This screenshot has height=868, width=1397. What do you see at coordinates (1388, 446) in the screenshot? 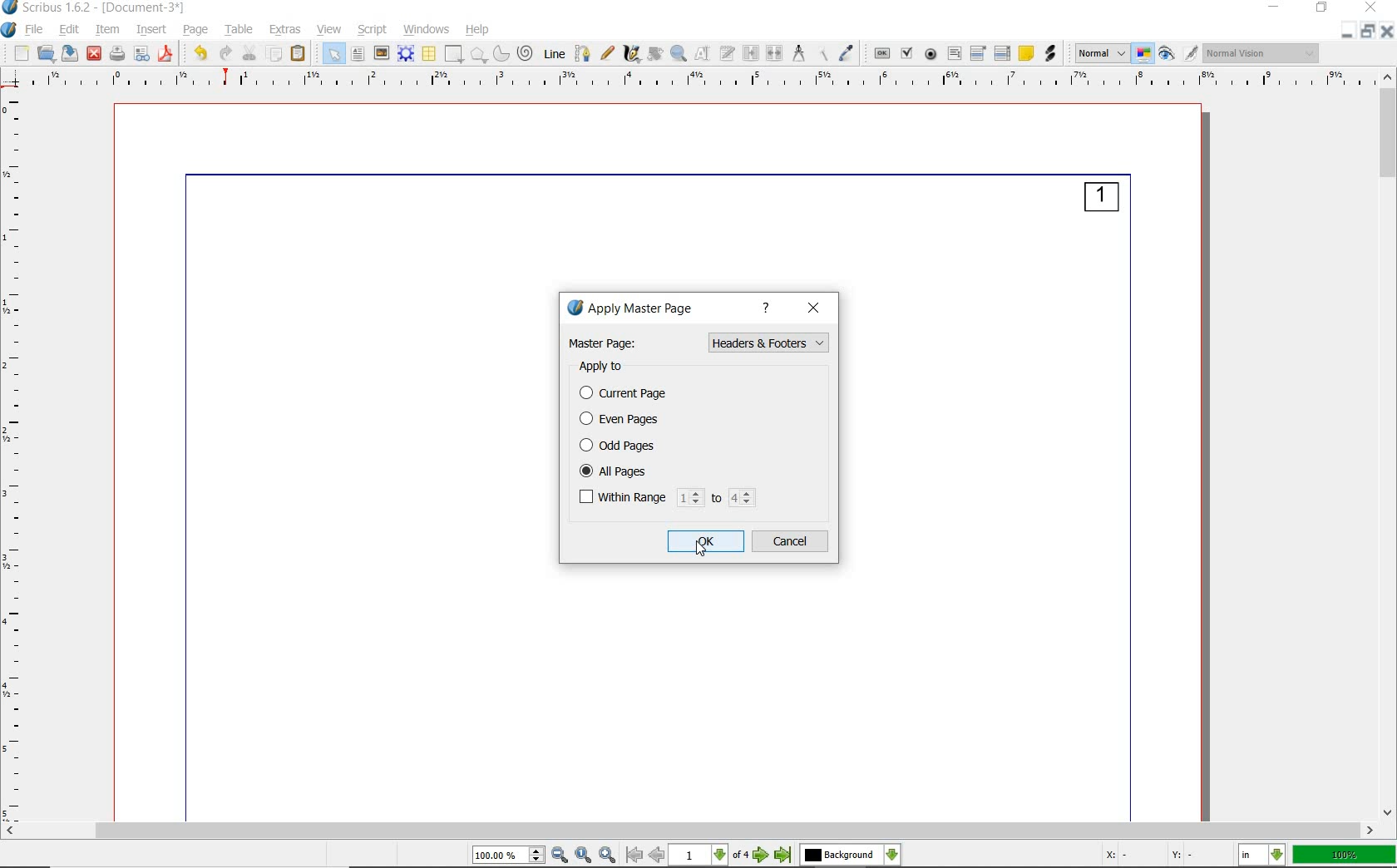
I see `scrollbar` at bounding box center [1388, 446].